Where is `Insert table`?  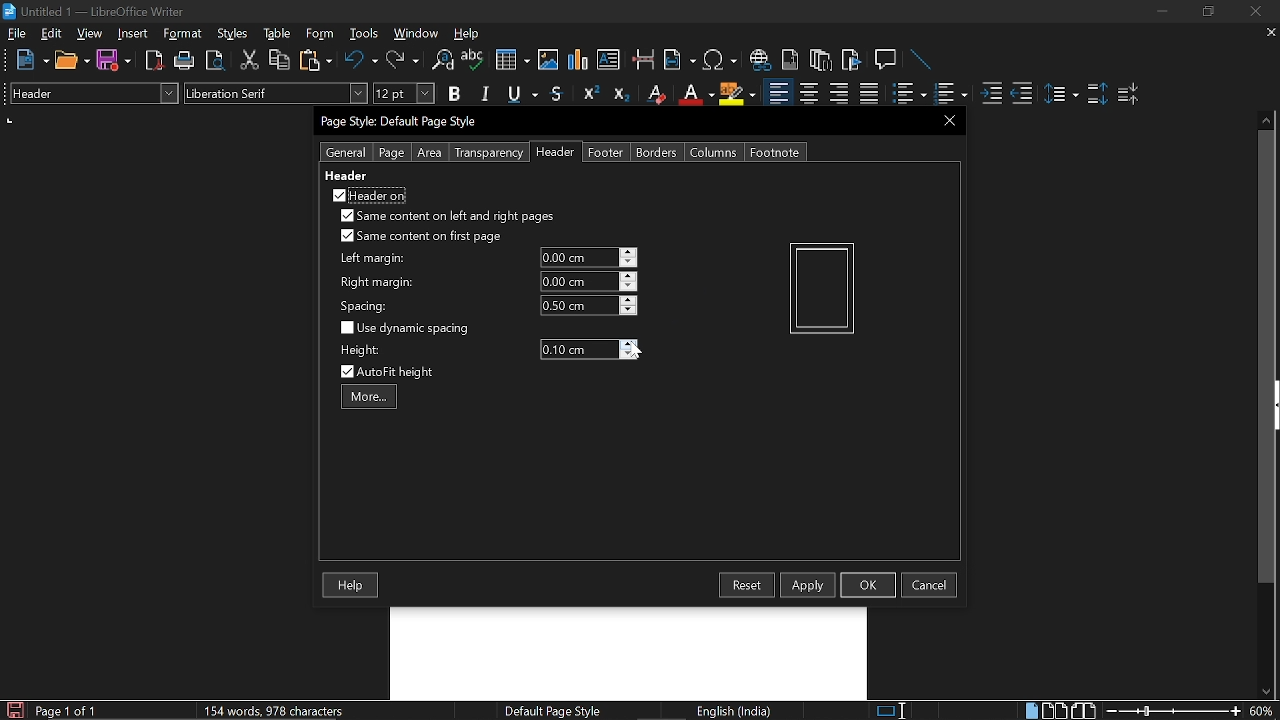 Insert table is located at coordinates (511, 61).